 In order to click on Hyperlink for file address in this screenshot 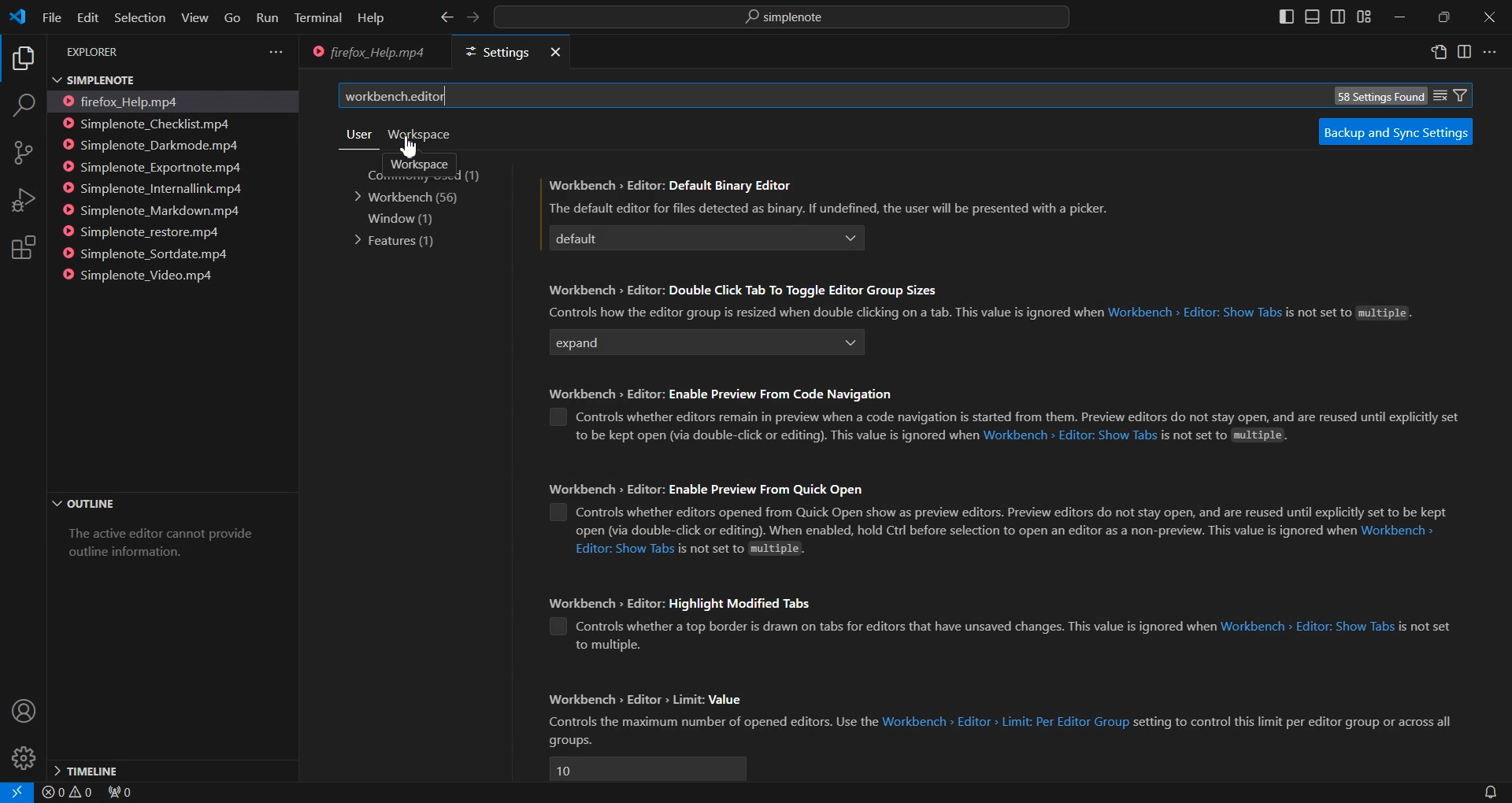, I will do `click(1069, 436)`.